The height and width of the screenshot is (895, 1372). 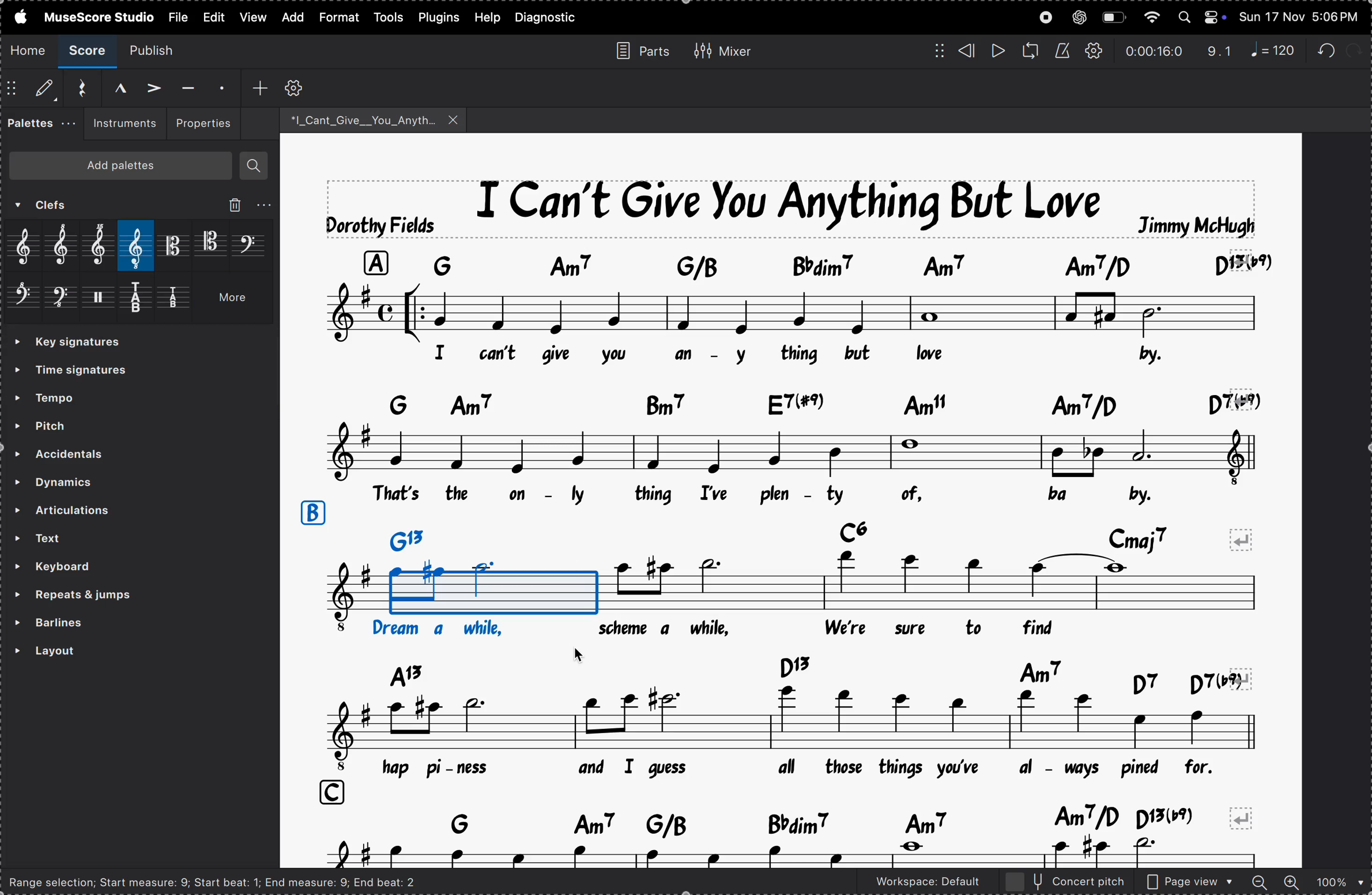 I want to click on worspace, so click(x=917, y=884).